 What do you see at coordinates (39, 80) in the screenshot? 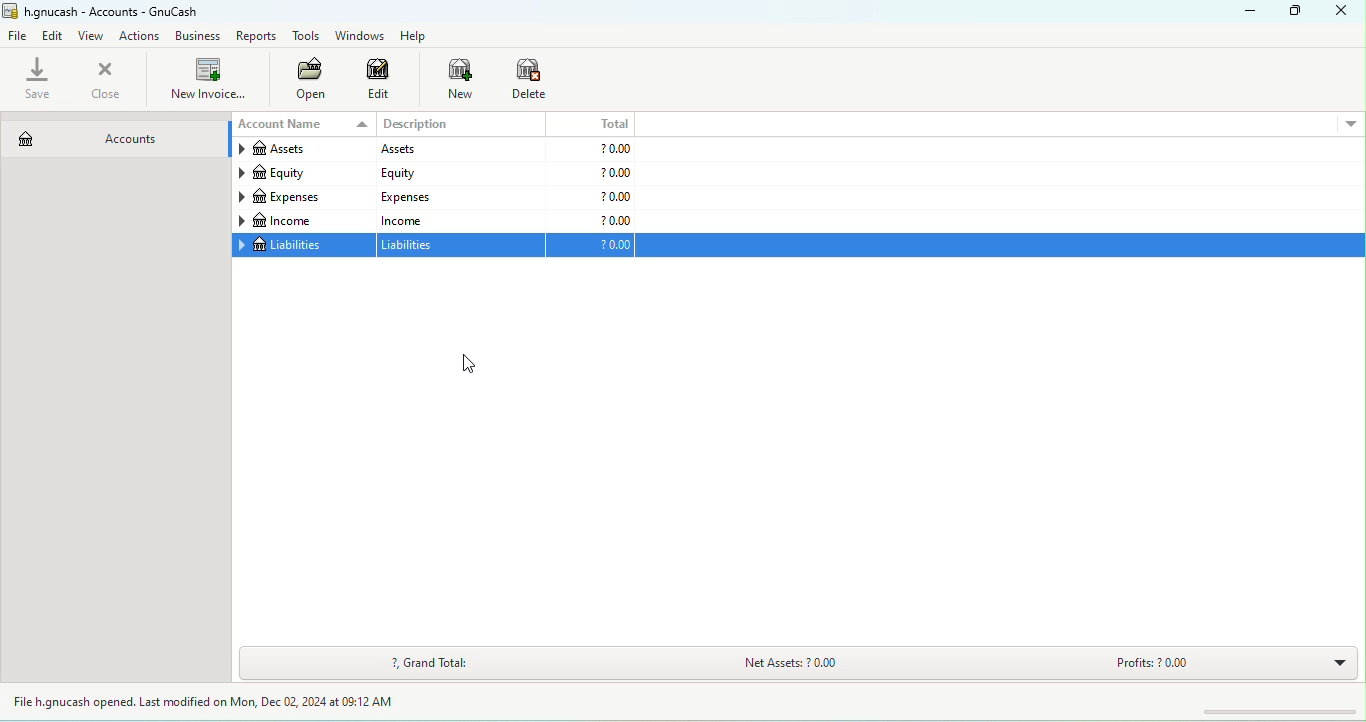
I see `save` at bounding box center [39, 80].